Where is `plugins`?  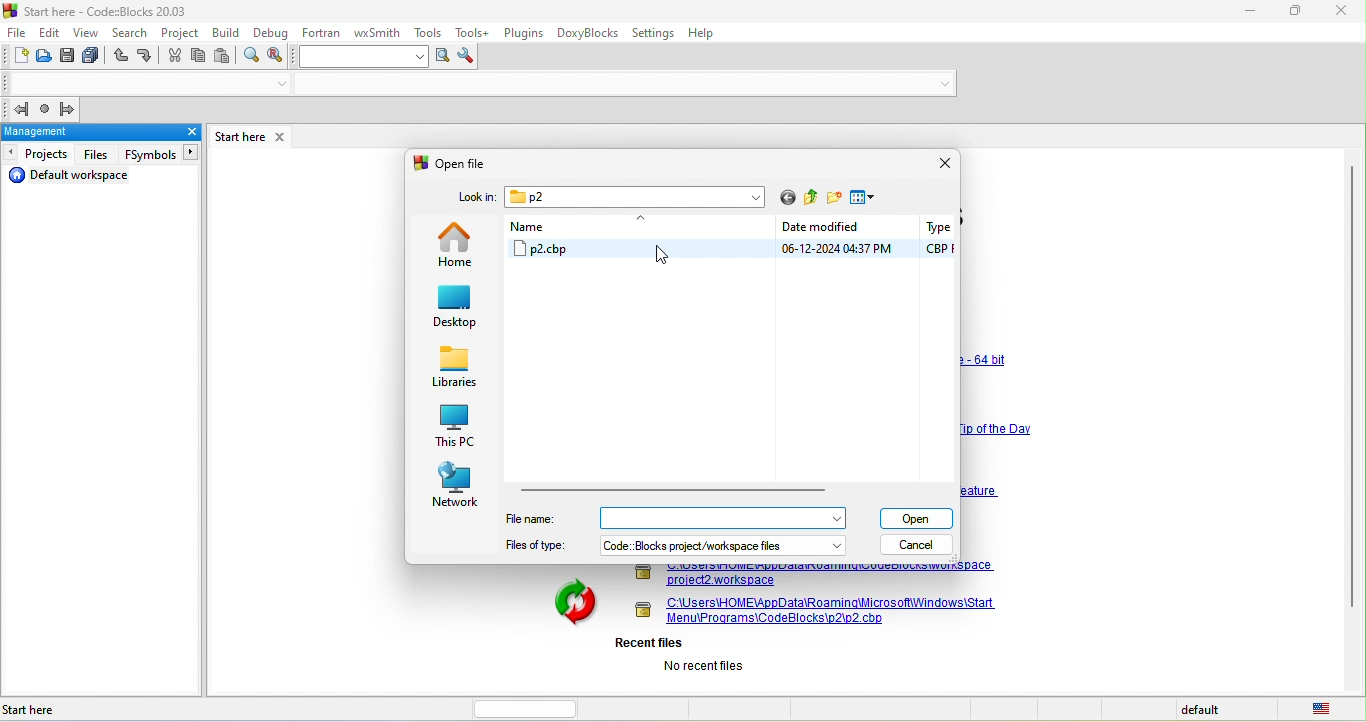
plugins is located at coordinates (524, 35).